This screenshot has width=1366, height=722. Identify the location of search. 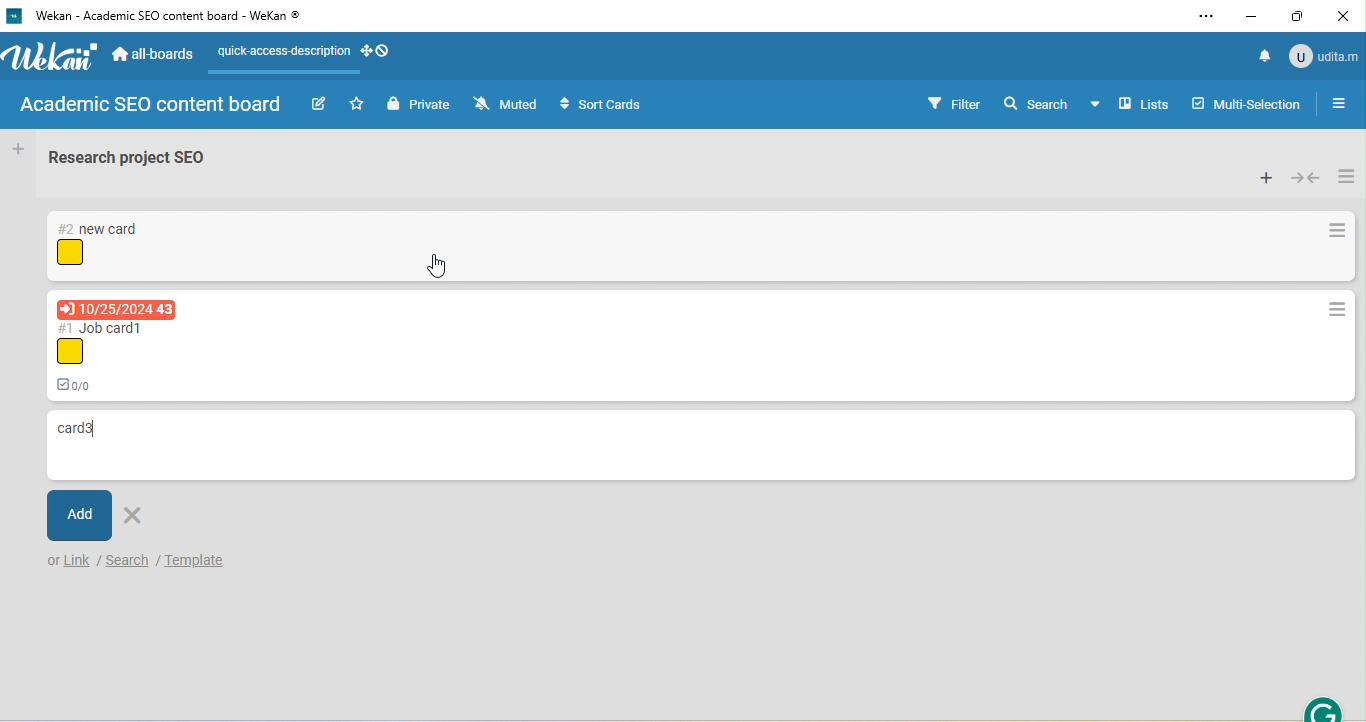
(126, 561).